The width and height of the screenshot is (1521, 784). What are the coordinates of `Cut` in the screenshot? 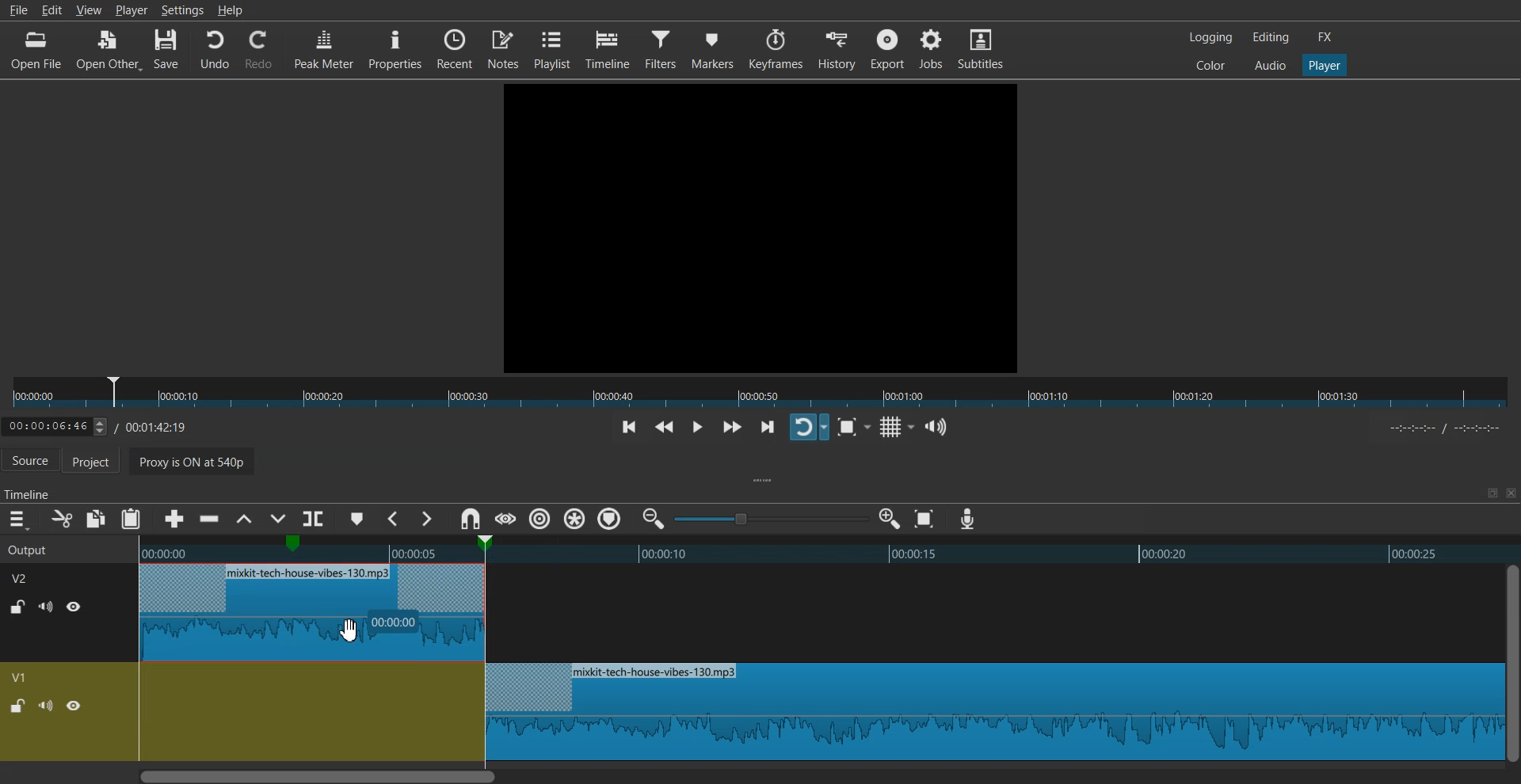 It's located at (62, 519).